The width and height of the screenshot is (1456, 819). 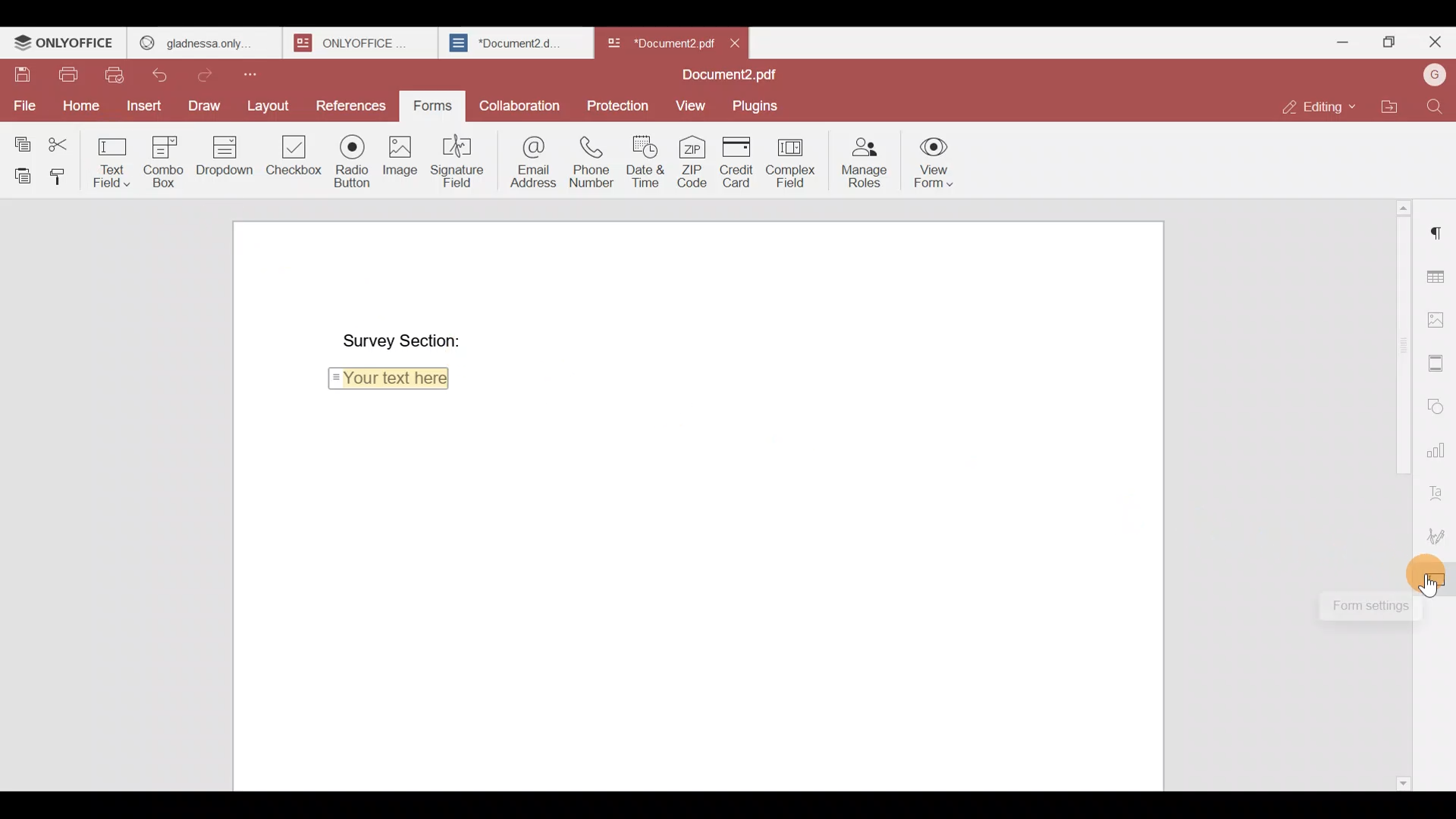 I want to click on Quick print, so click(x=120, y=75).